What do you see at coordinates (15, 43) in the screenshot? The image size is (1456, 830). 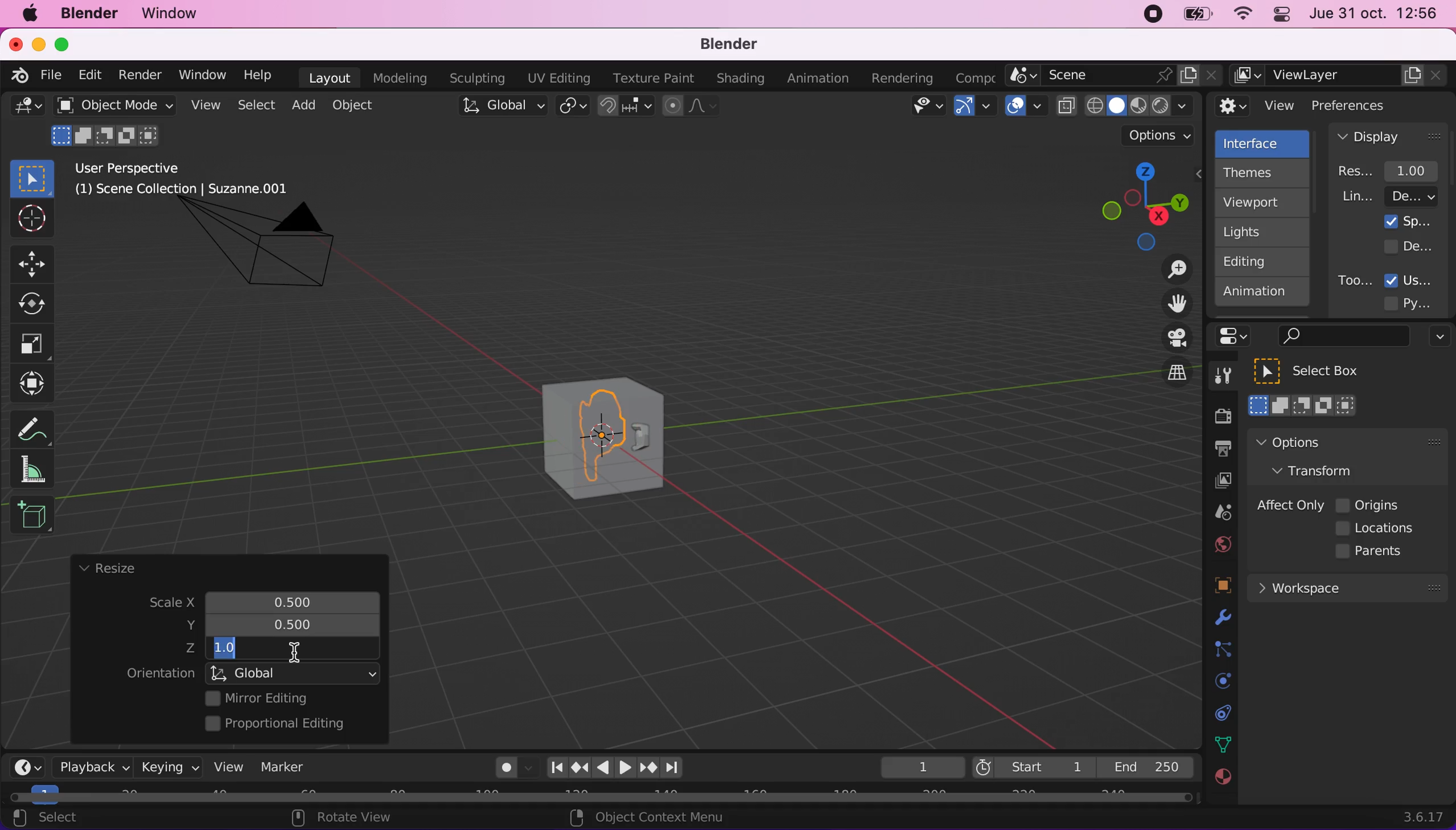 I see `close` at bounding box center [15, 43].